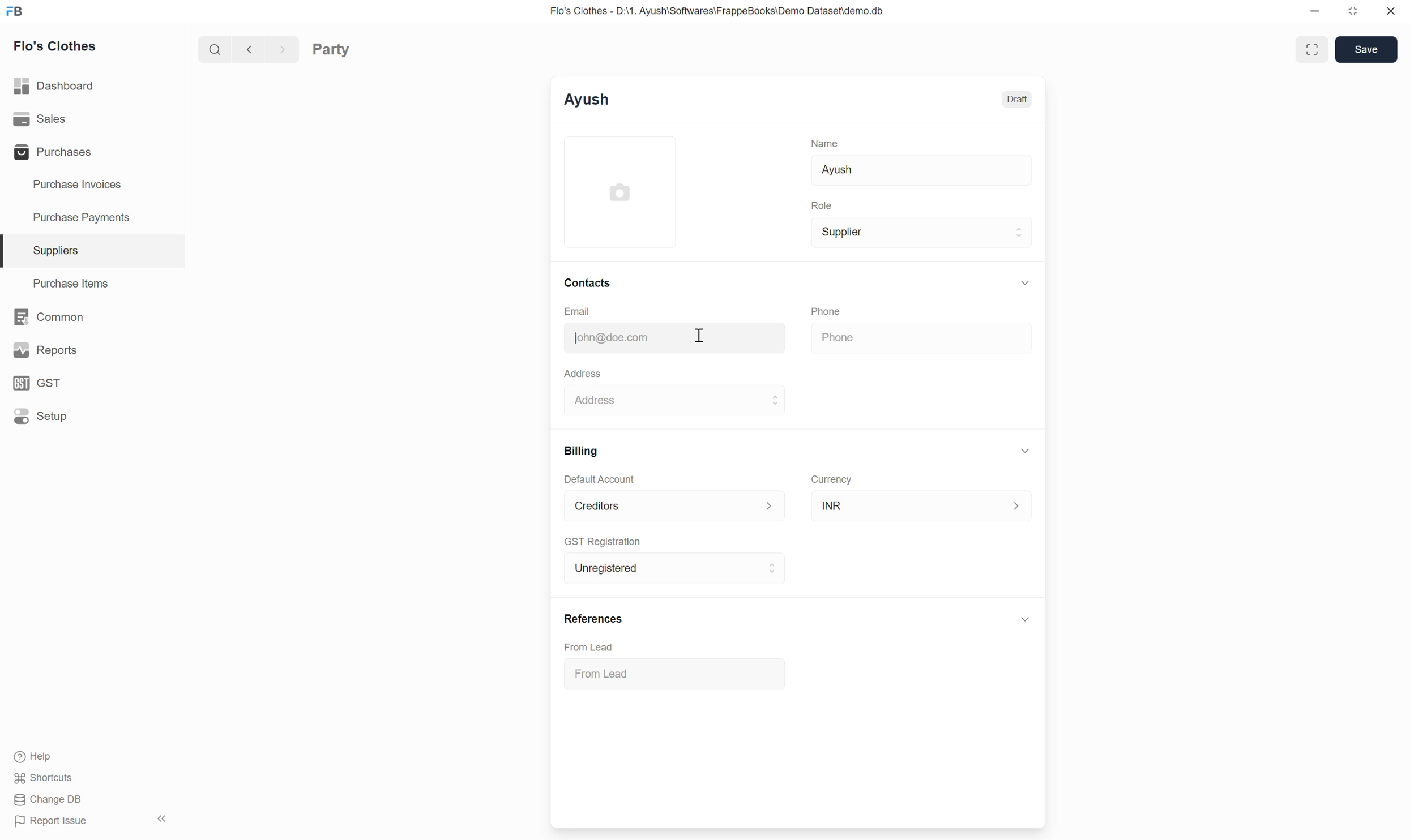  Describe the element at coordinates (91, 317) in the screenshot. I see `Common` at that location.